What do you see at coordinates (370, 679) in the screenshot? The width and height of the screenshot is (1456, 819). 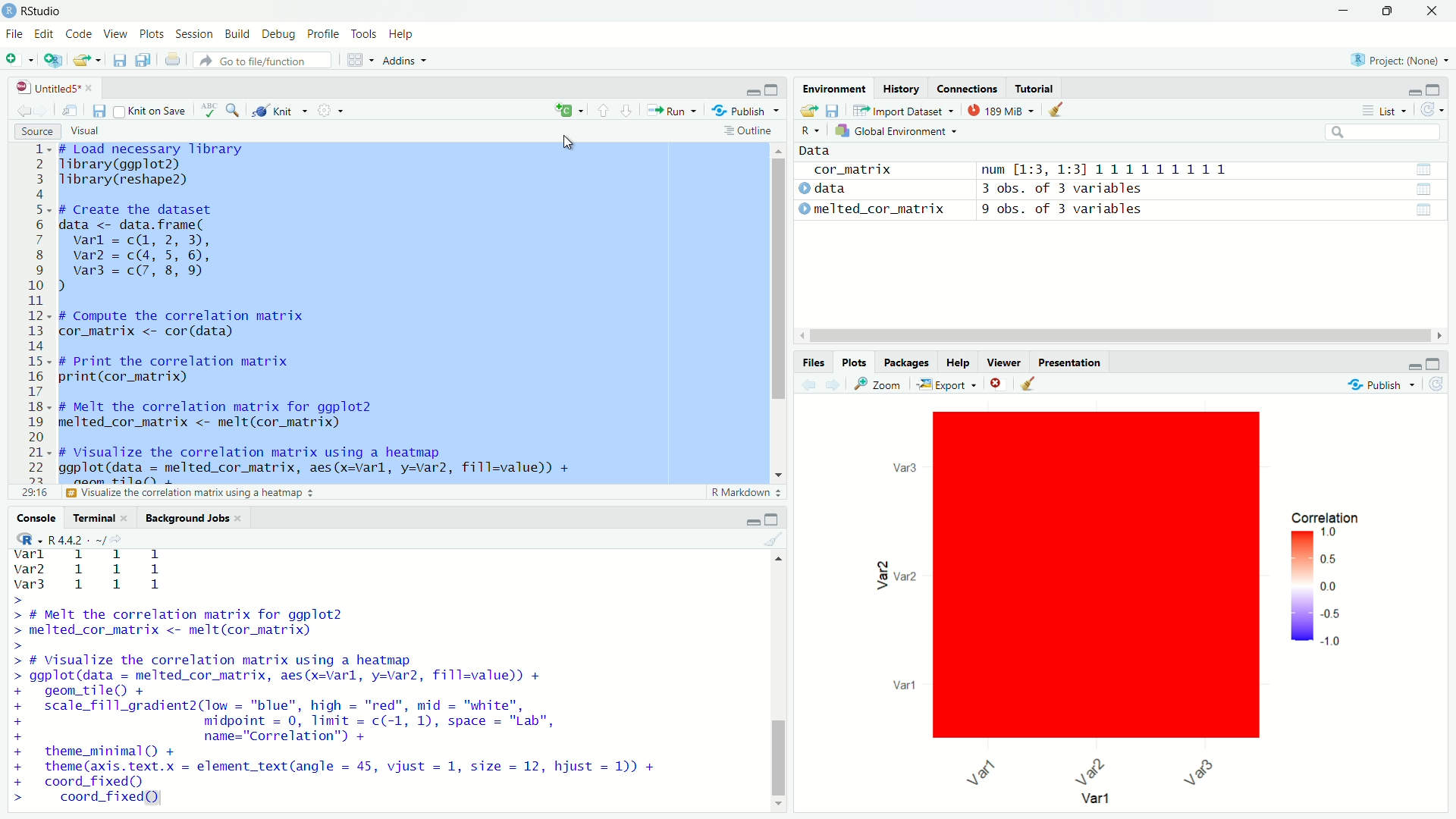 I see `cor_matrix <- cordidata)
# Print the correlation matrix
print(cor_matrix)
# Melt the correlation matrix for ggplot2
melted_cor_matrix <- melt(cor_matrix)
# Visualize the correlation matrix using a heatmap
ggplot(data = melted_cor_matrix, aes(x=varl, y=var2, fill=value)) +
geom_tile() +
scale_fill_gradient2(low = "BI", hich = "W@", mid = "White",
midpoint = 0, limit = c(-1, 1), space = "Lab",
name="Correlation") +
theme_minimal() +
theme (axis. text.x = element_text(angle = 45, vijust = 1, size = 12, hjust = 1)) +
coord_fixed)` at bounding box center [370, 679].